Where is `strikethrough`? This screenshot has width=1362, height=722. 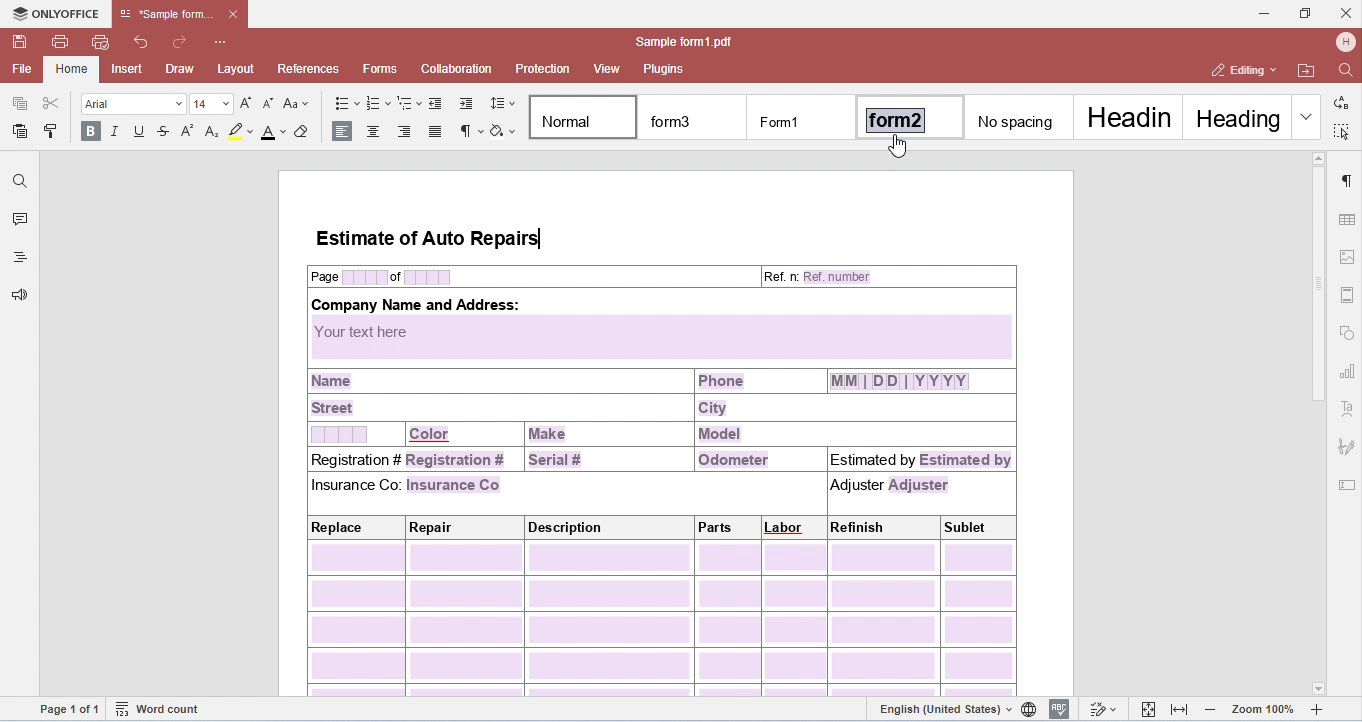
strikethrough is located at coordinates (166, 134).